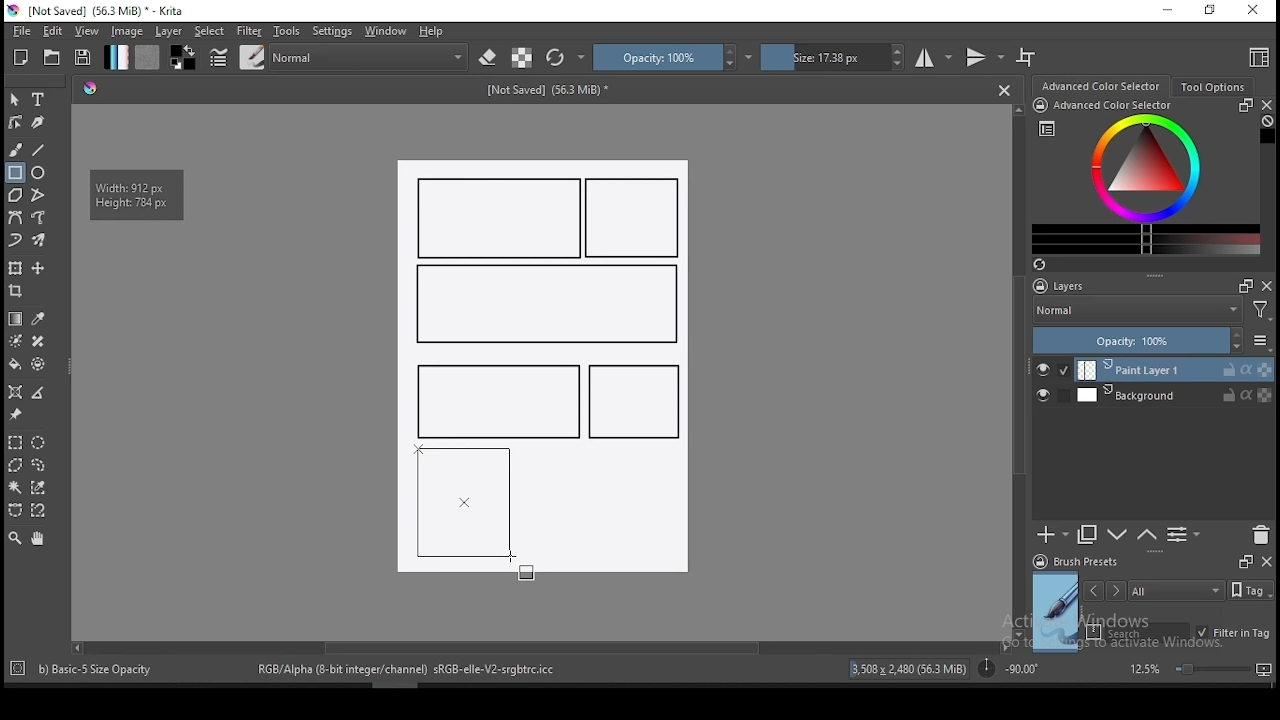 This screenshot has height=720, width=1280. Describe the element at coordinates (16, 319) in the screenshot. I see `gradient tool` at that location.